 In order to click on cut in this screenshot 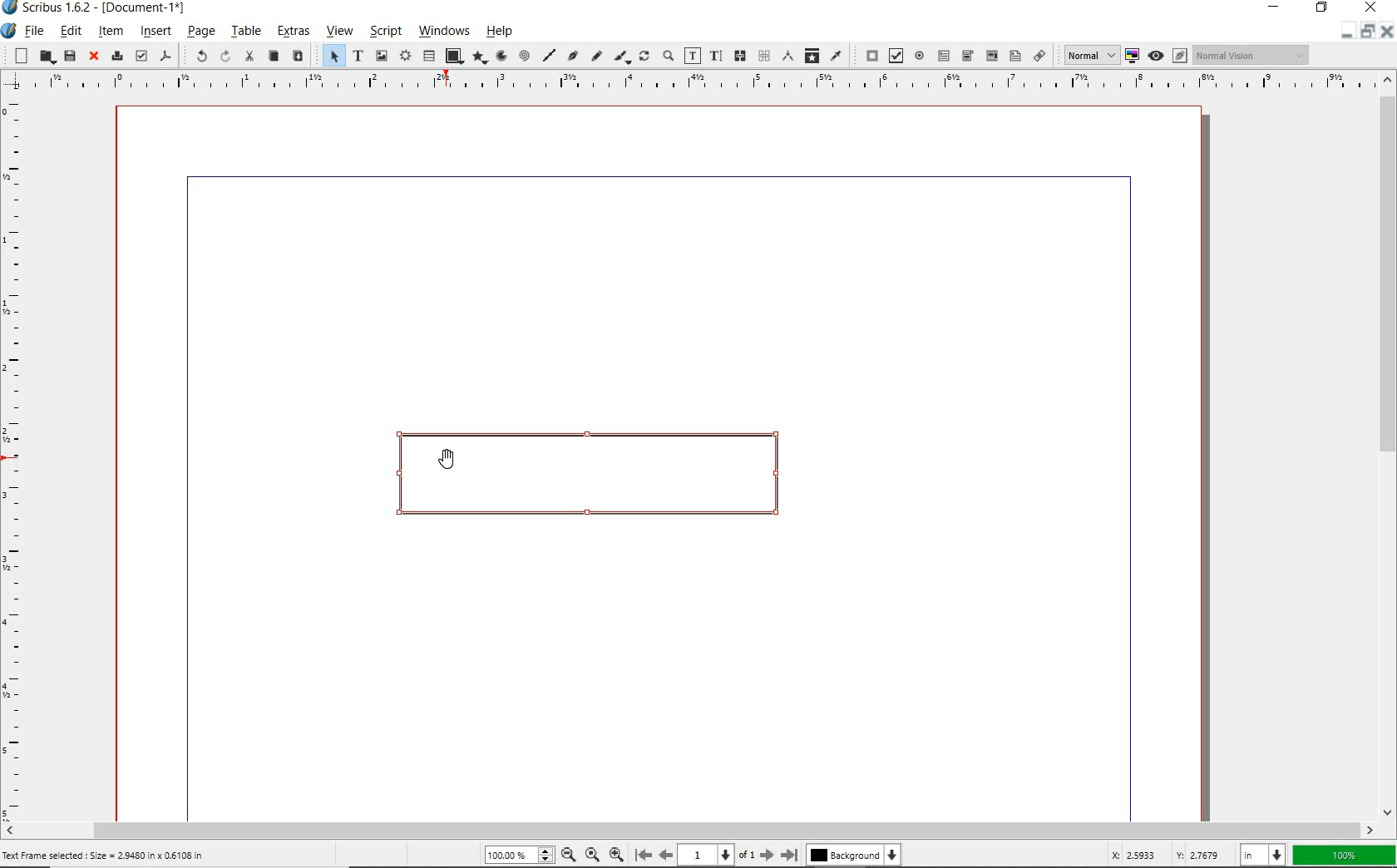, I will do `click(249, 57)`.